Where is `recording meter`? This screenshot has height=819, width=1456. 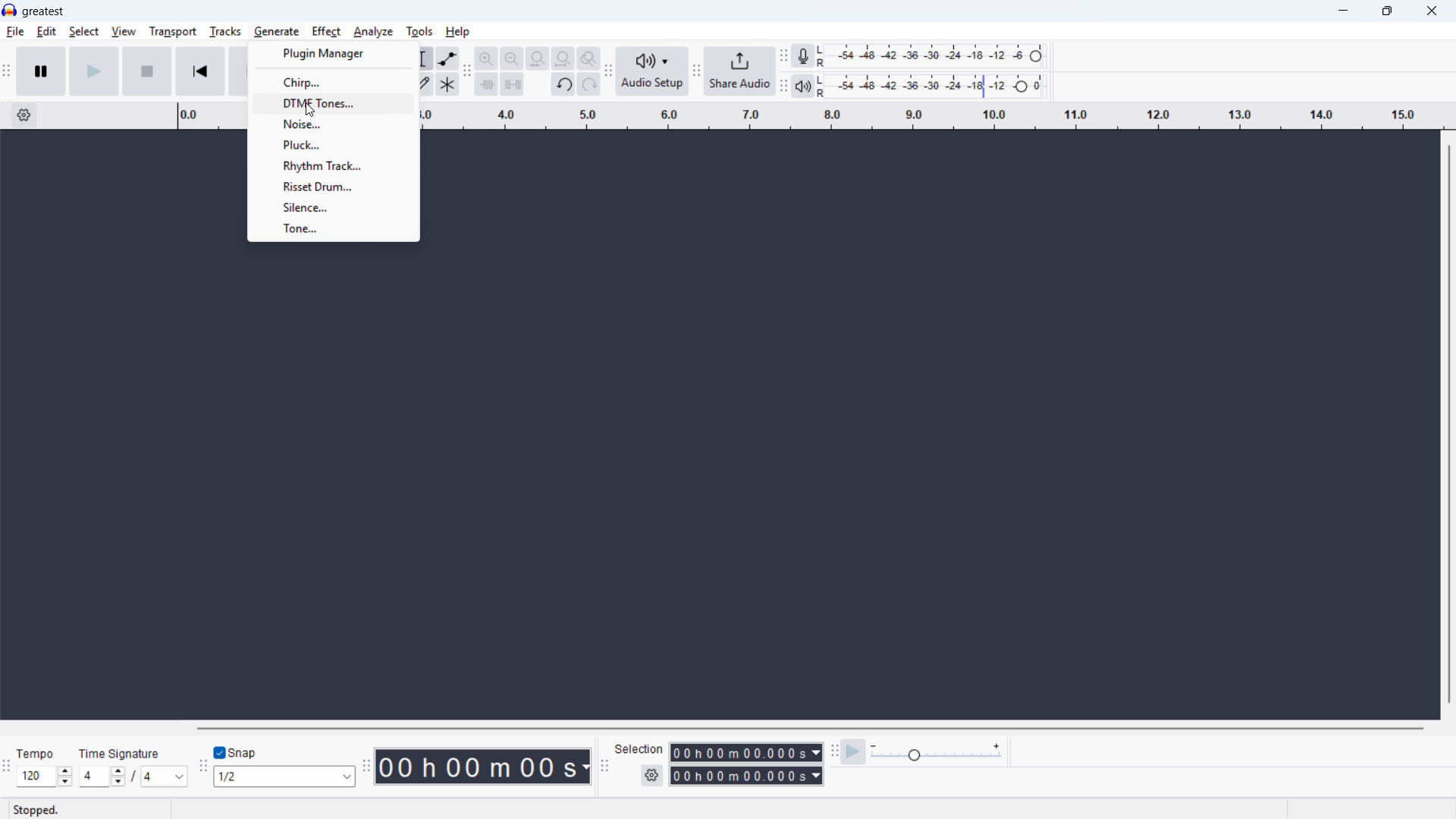 recording meter is located at coordinates (802, 55).